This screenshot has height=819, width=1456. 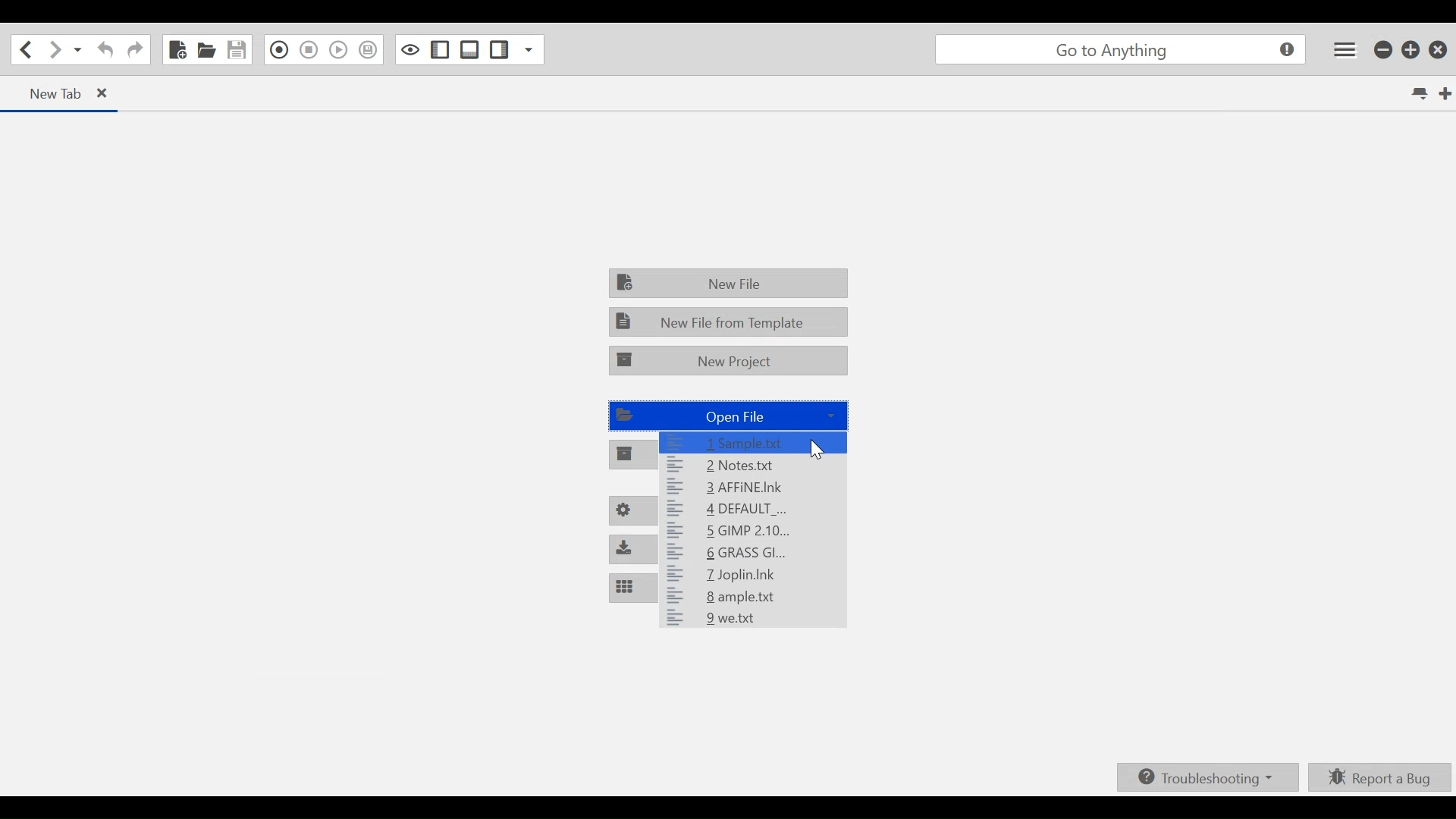 I want to click on New Tab, so click(x=1440, y=92).